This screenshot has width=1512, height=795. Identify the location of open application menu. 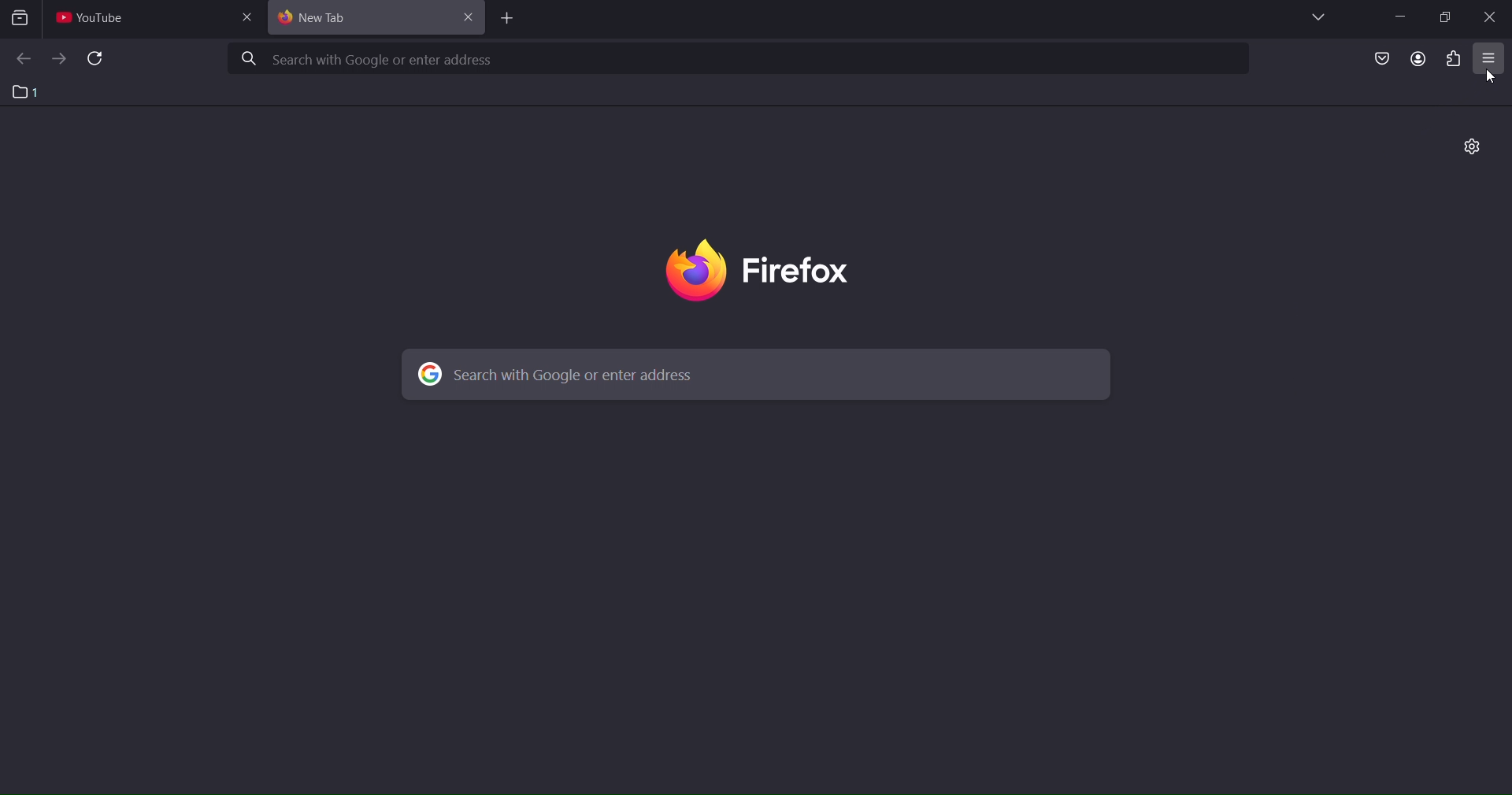
(1488, 60).